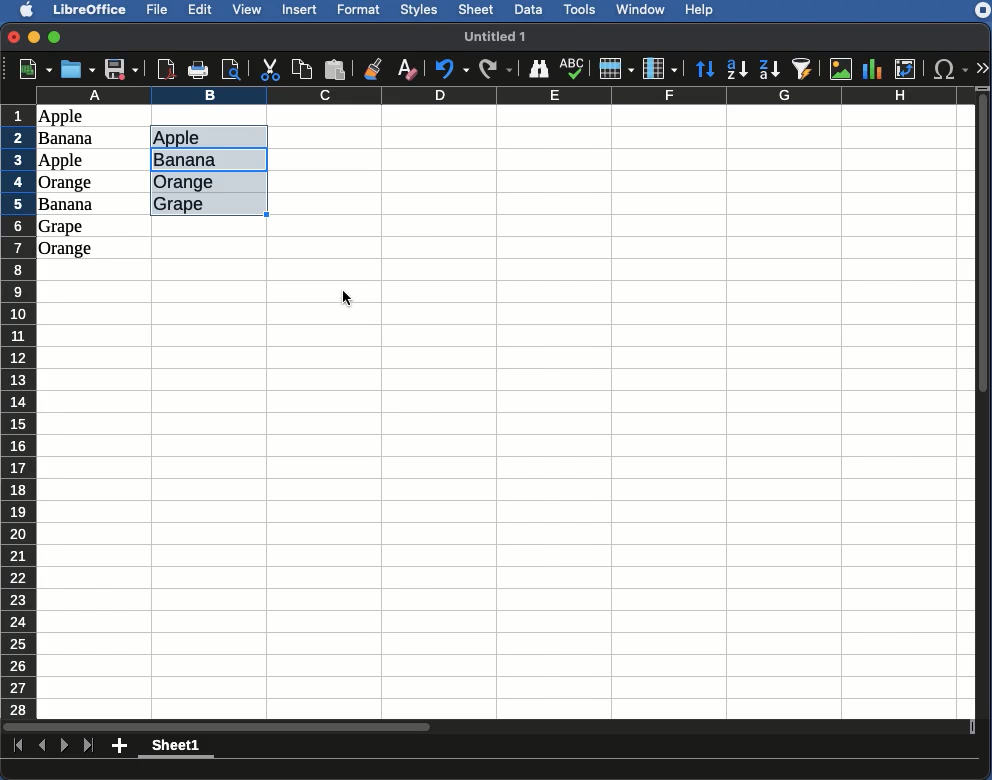  I want to click on Ascending, so click(737, 69).